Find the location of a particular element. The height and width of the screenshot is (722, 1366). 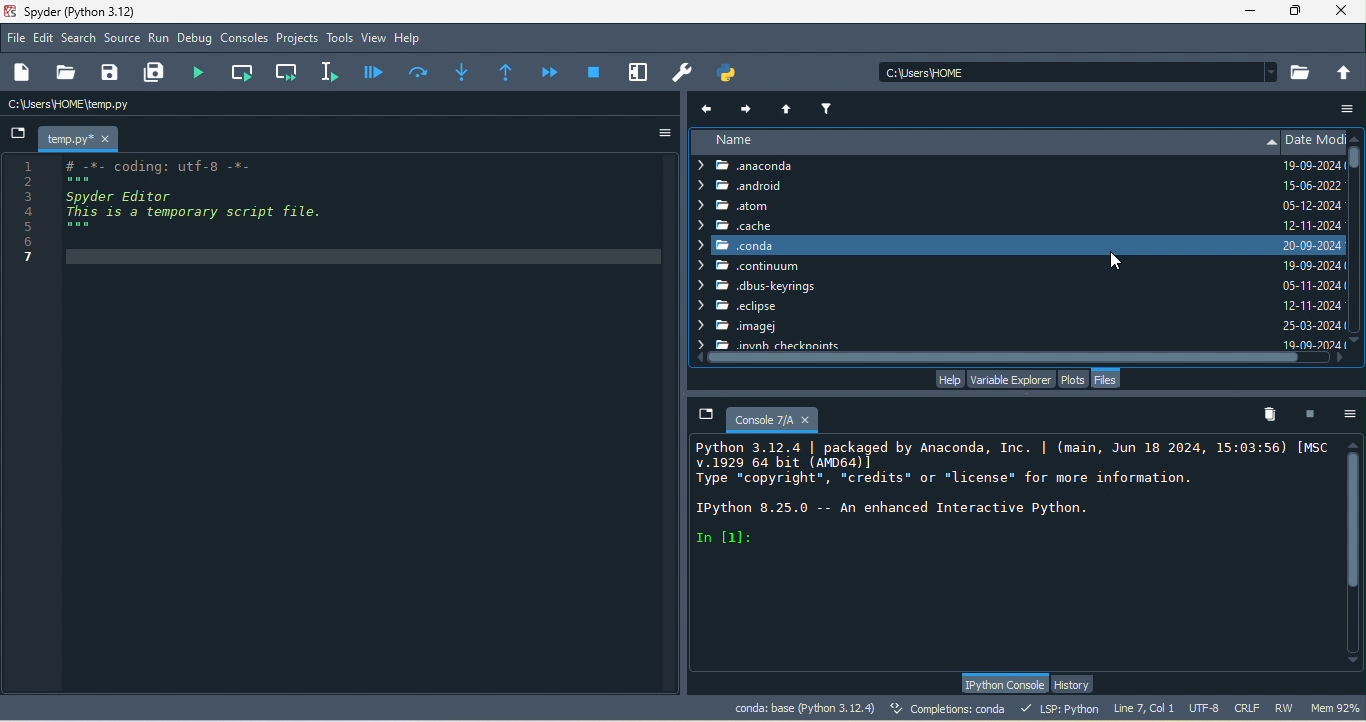

utf 8 is located at coordinates (1206, 709).